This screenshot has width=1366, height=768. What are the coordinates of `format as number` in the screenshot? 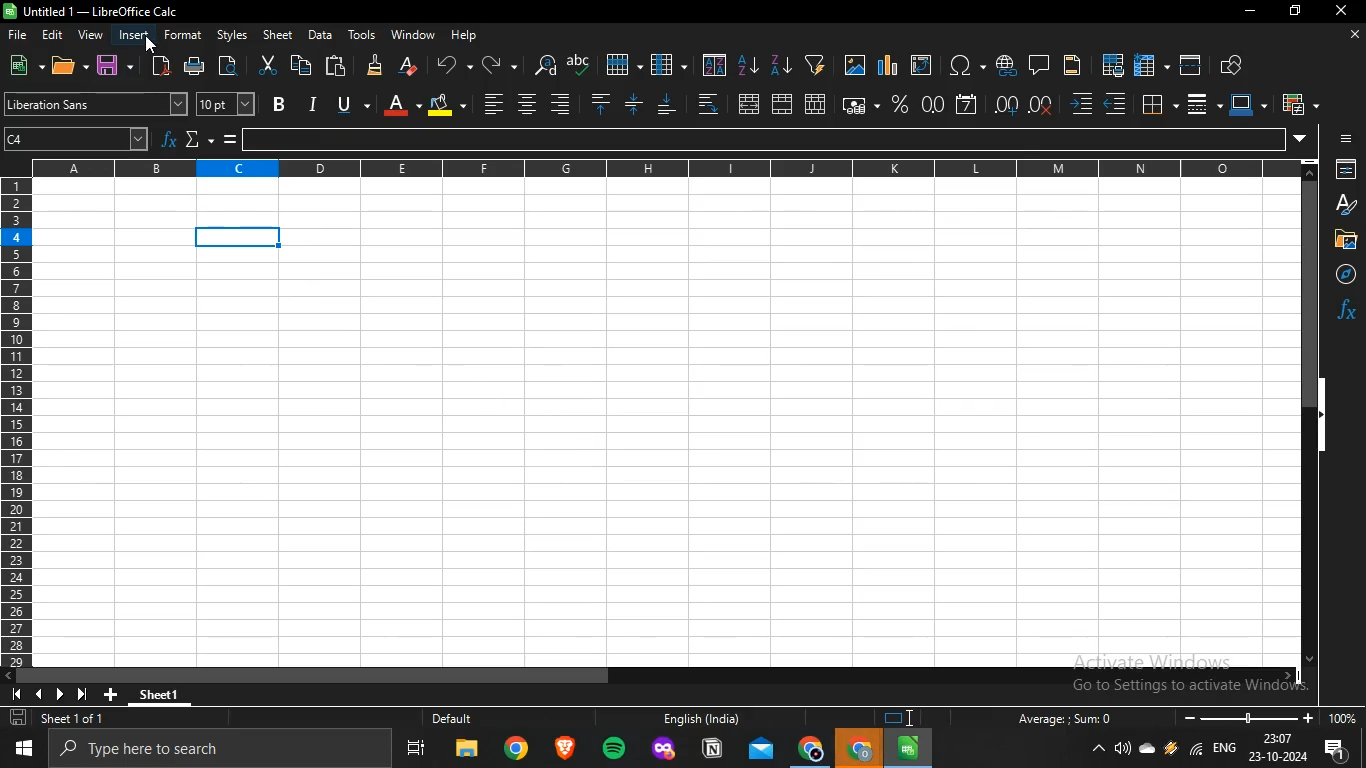 It's located at (932, 103).